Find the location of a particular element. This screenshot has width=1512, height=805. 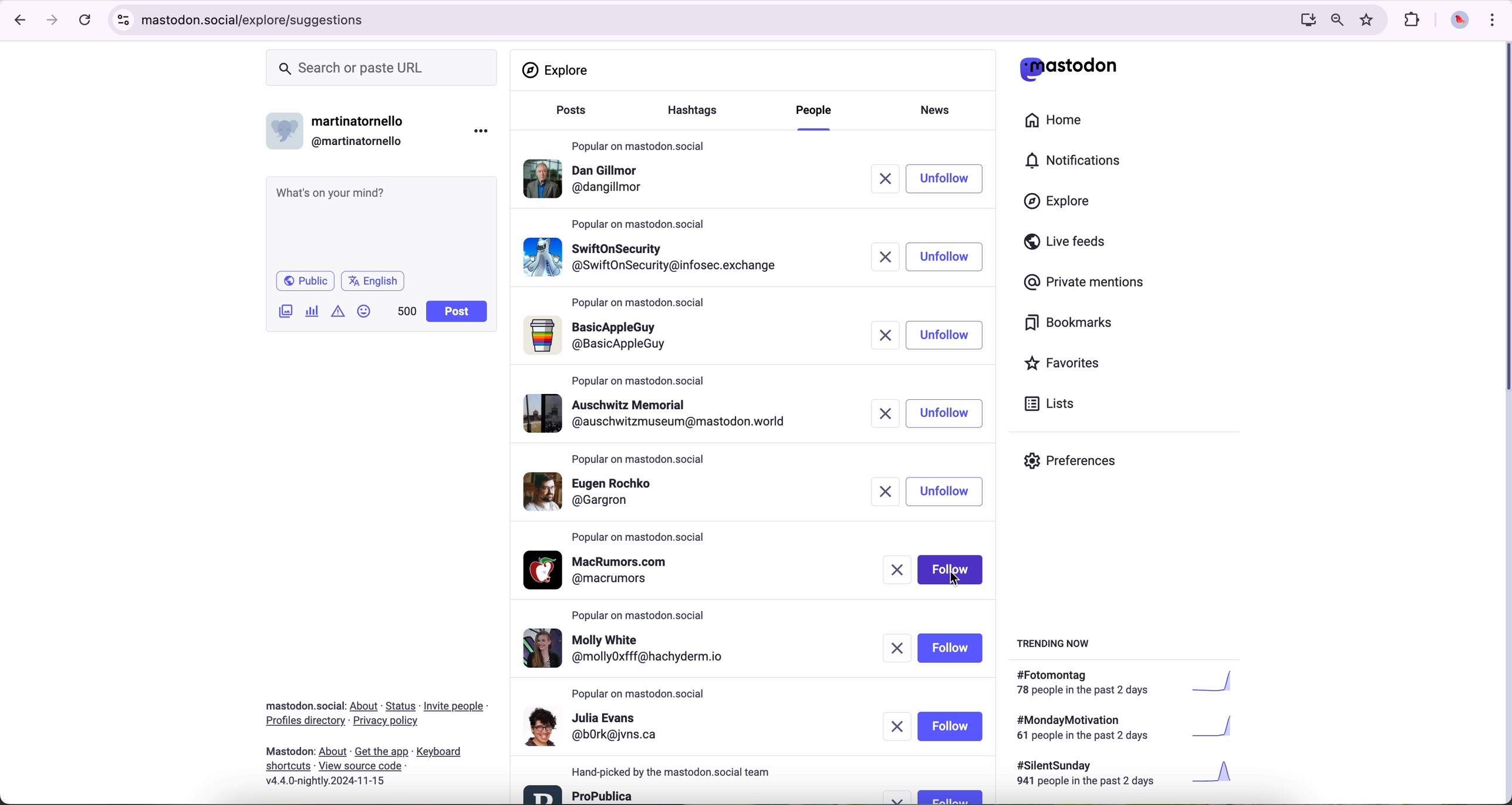

follow button is located at coordinates (950, 648).